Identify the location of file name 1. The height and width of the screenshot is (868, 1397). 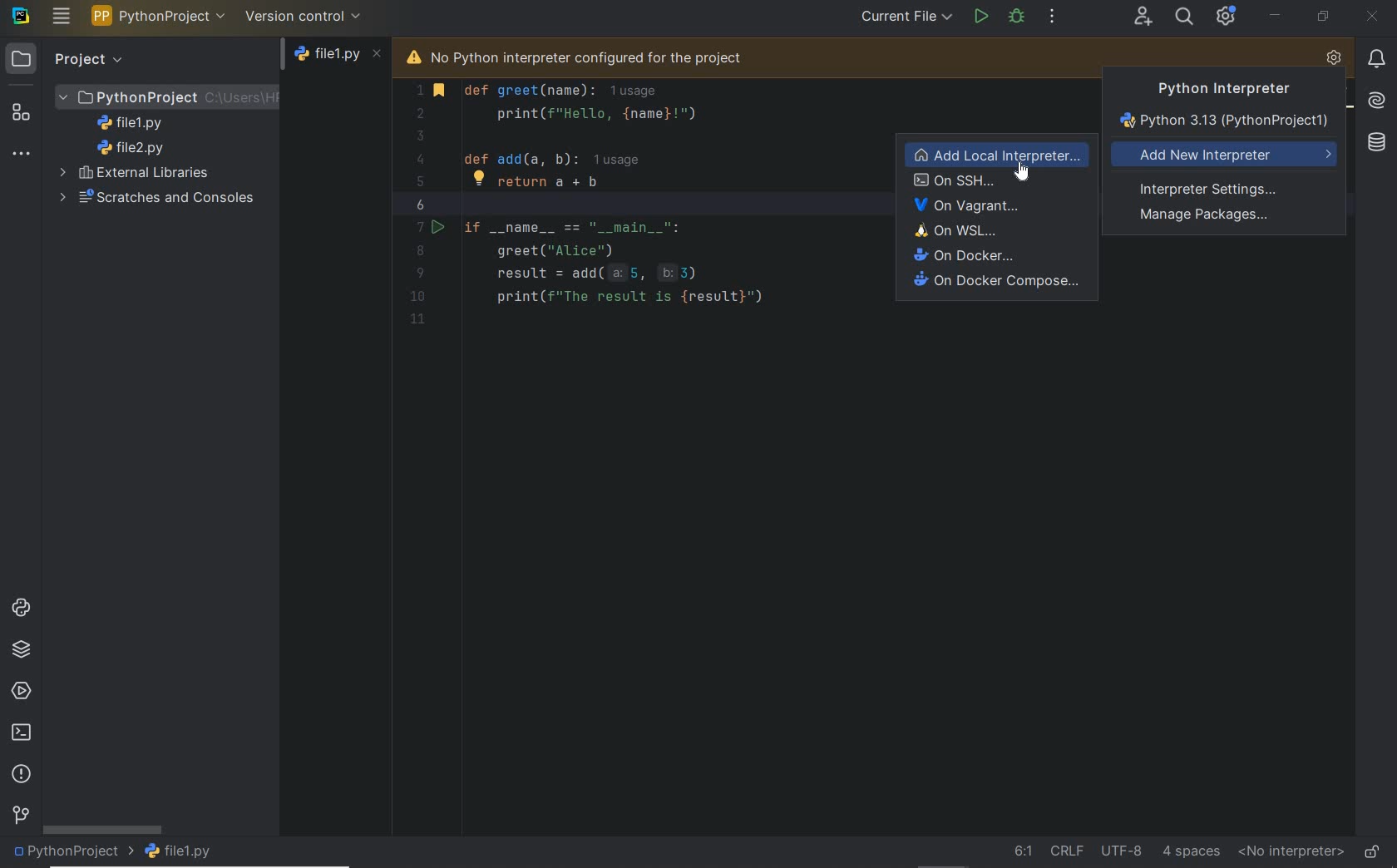
(135, 123).